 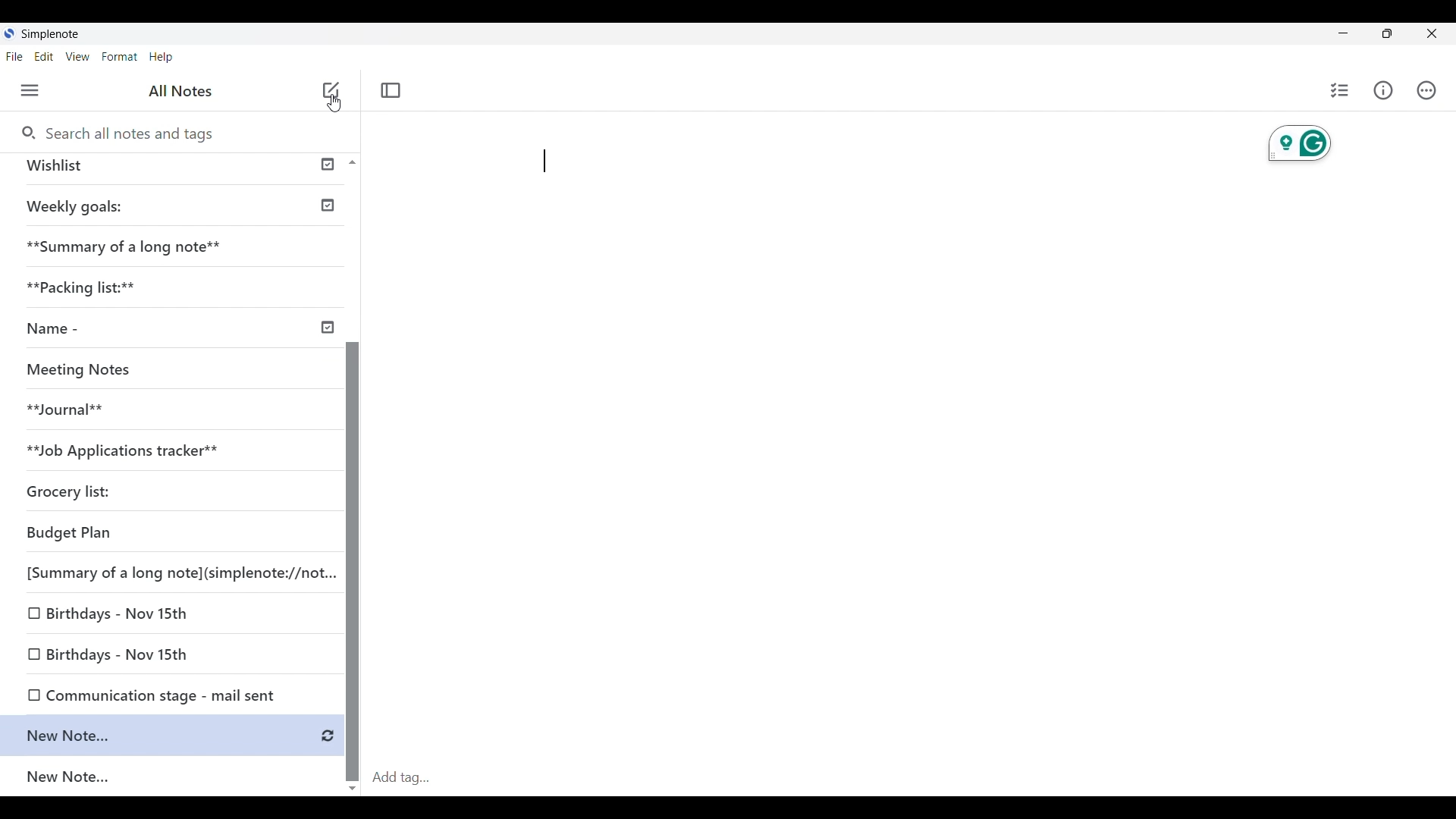 What do you see at coordinates (80, 204) in the screenshot?
I see `Weekly goals:` at bounding box center [80, 204].